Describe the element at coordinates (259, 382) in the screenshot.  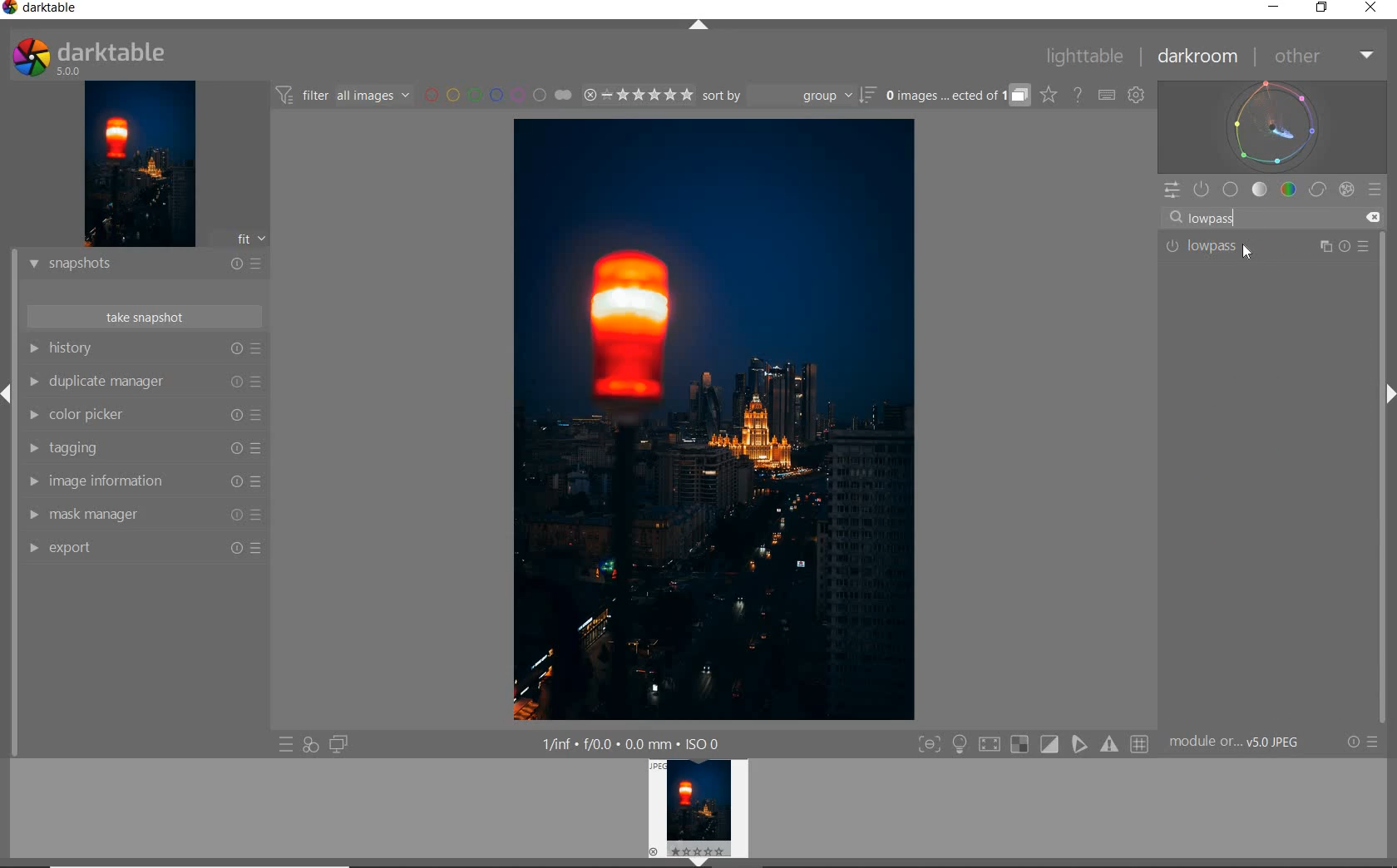
I see `Preset and reset` at that location.